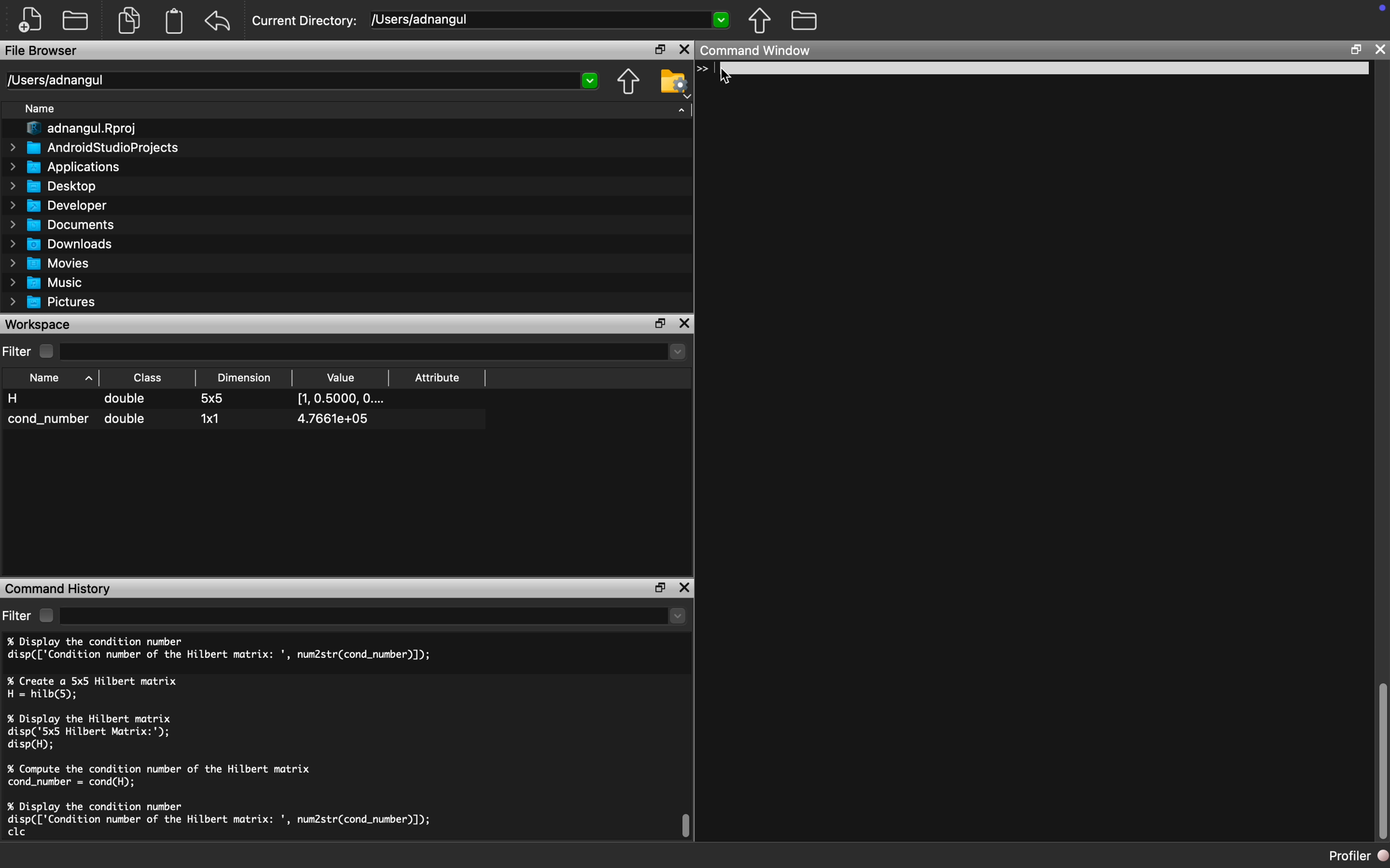  What do you see at coordinates (59, 588) in the screenshot?
I see `Command History` at bounding box center [59, 588].